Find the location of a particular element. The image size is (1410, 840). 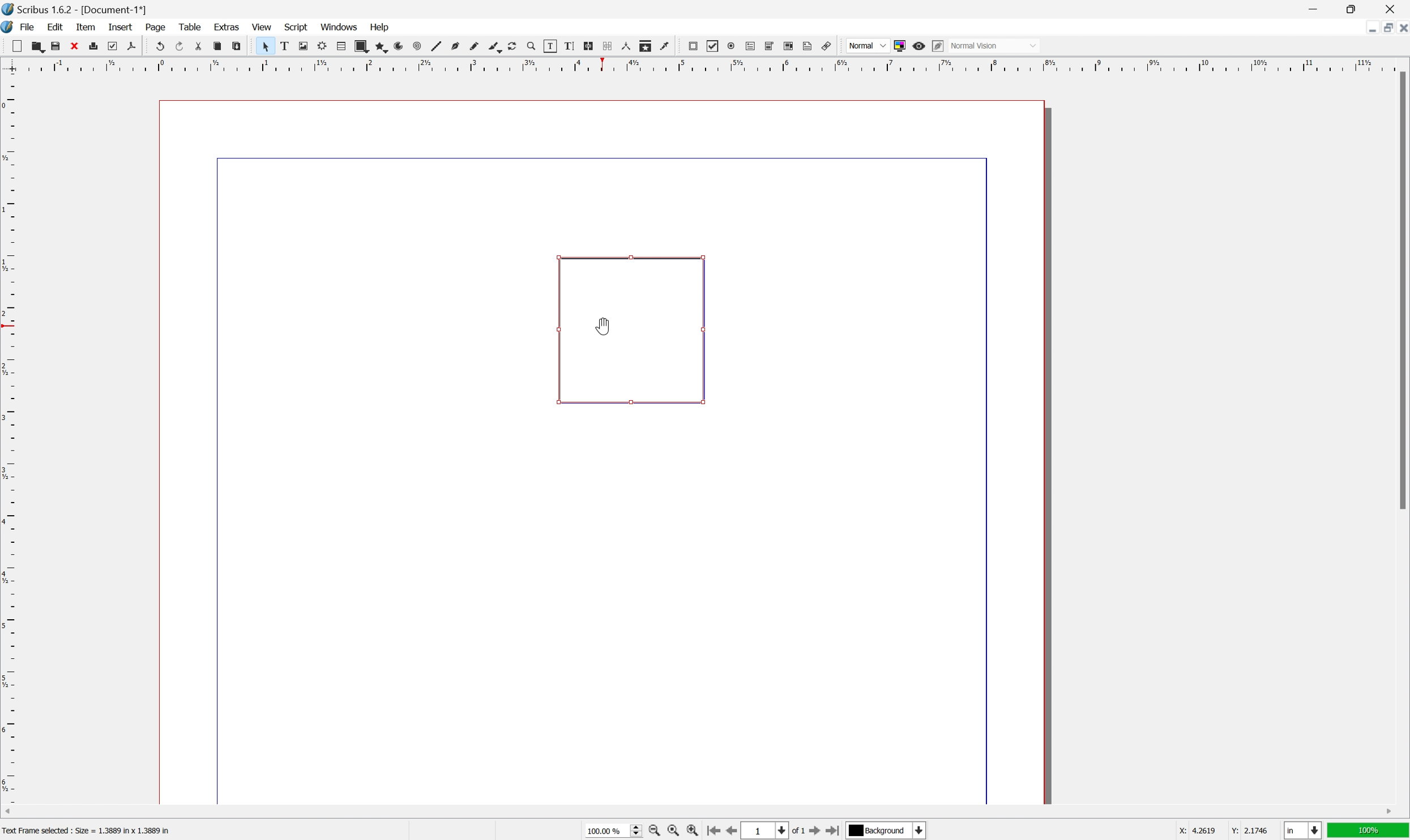

pdf checkbox is located at coordinates (713, 47).